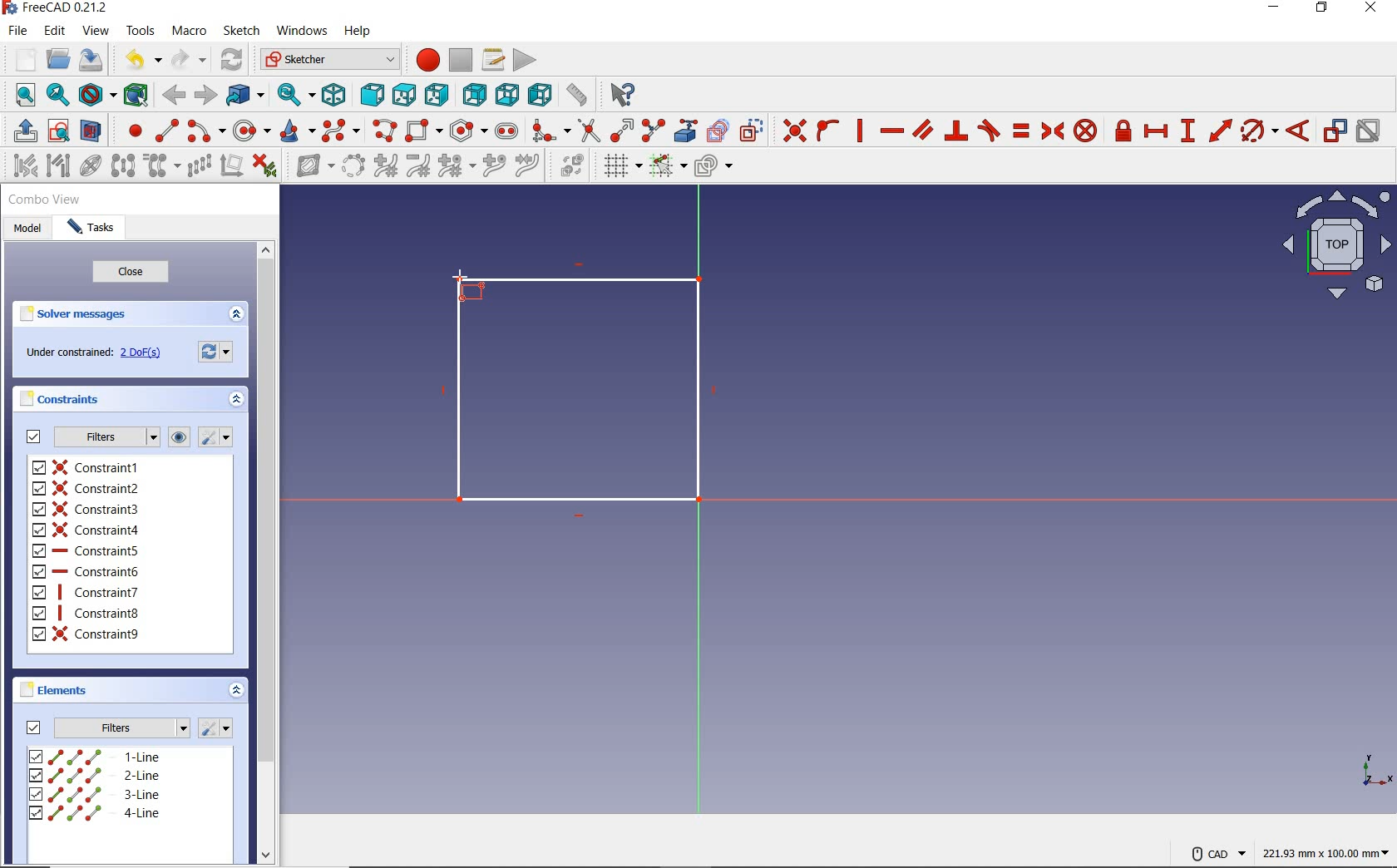 The width and height of the screenshot is (1397, 868). I want to click on configure rendering order, so click(717, 169).